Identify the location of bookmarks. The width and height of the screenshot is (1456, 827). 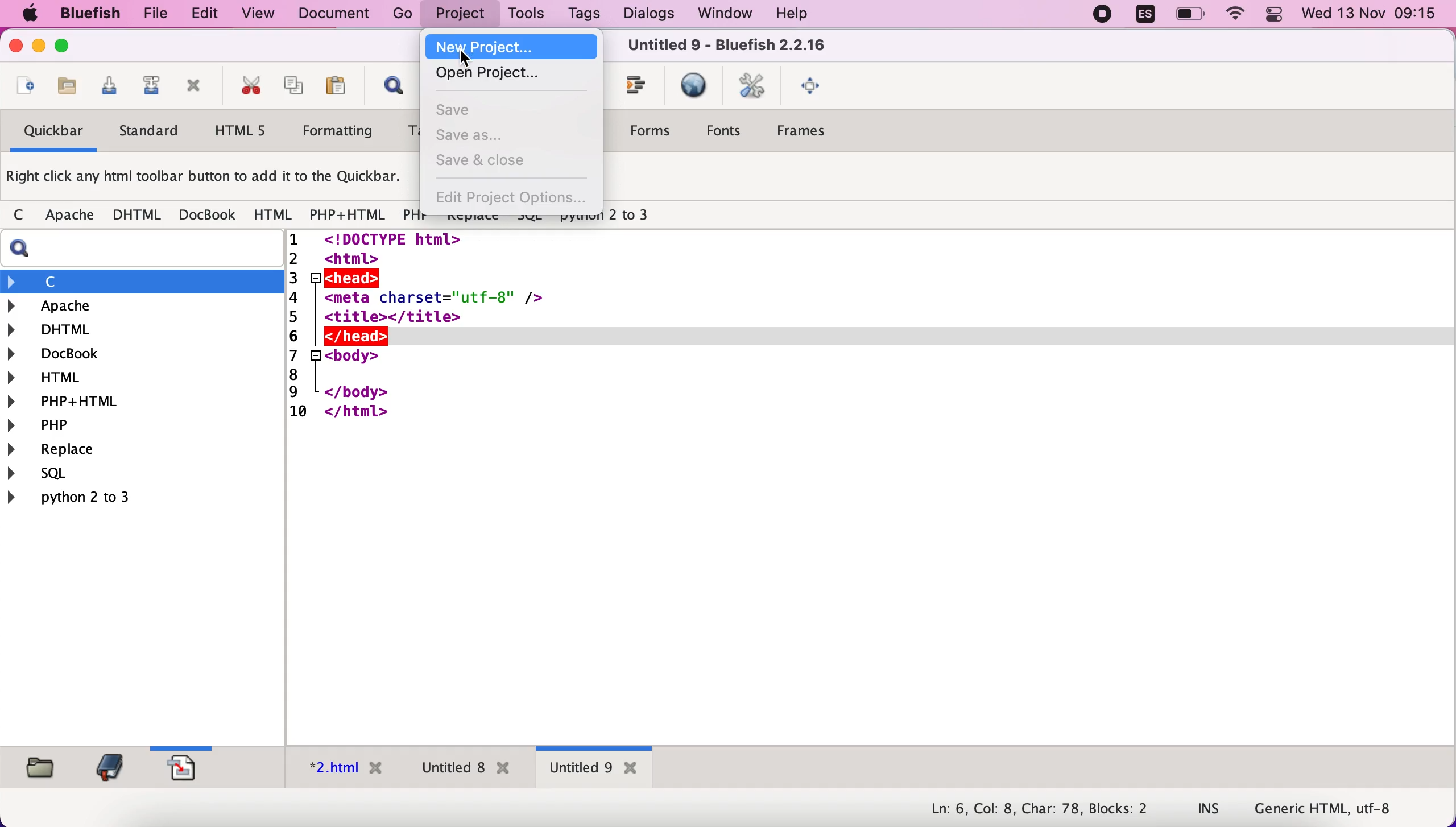
(106, 767).